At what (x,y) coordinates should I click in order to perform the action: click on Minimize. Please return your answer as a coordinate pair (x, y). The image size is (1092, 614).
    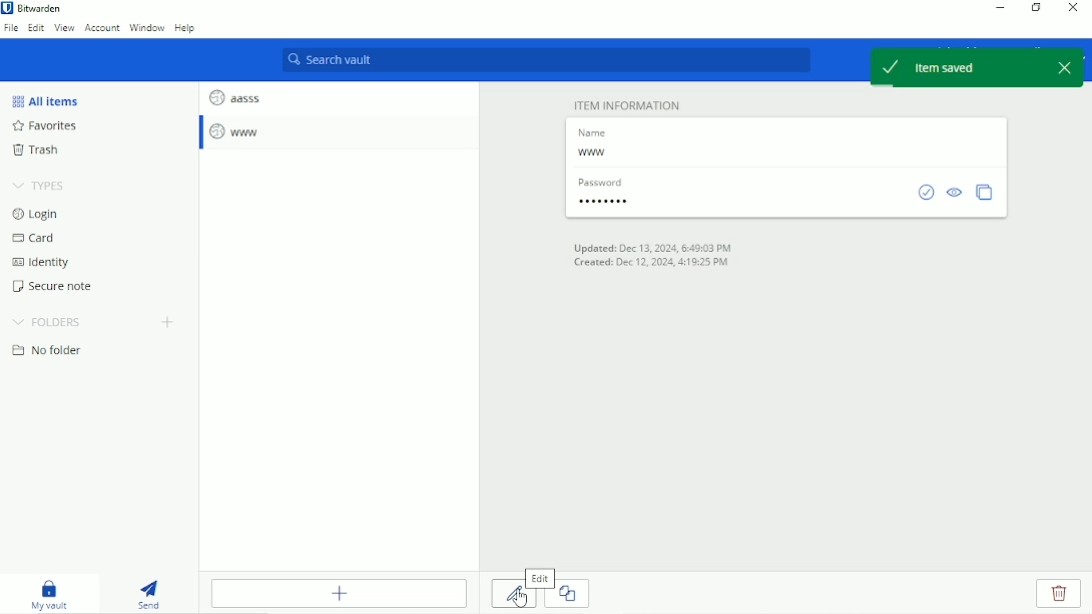
    Looking at the image, I should click on (1003, 7).